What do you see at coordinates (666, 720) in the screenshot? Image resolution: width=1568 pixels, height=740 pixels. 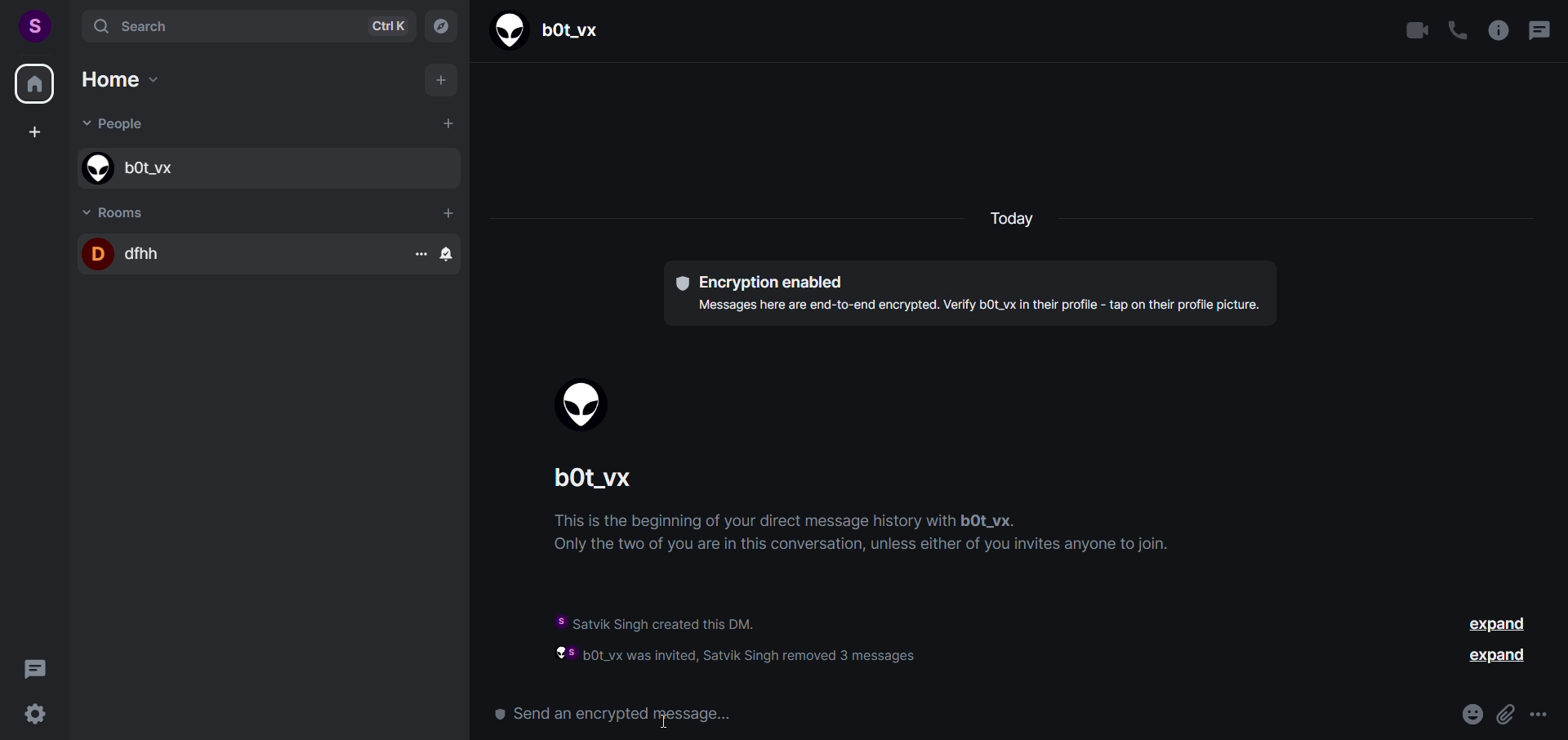 I see `cursor` at bounding box center [666, 720].